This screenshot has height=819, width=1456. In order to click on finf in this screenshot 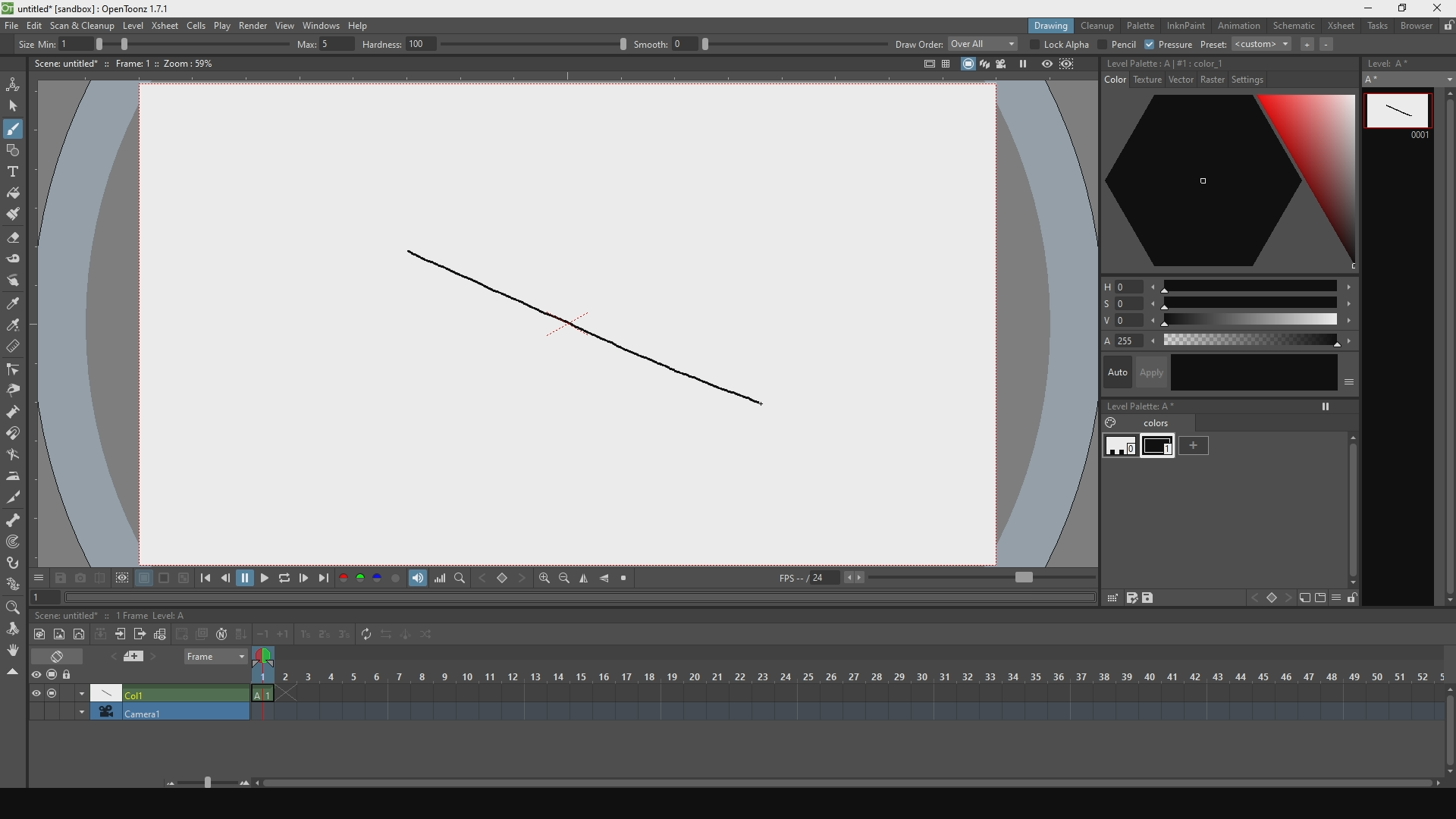, I will do `click(461, 579)`.